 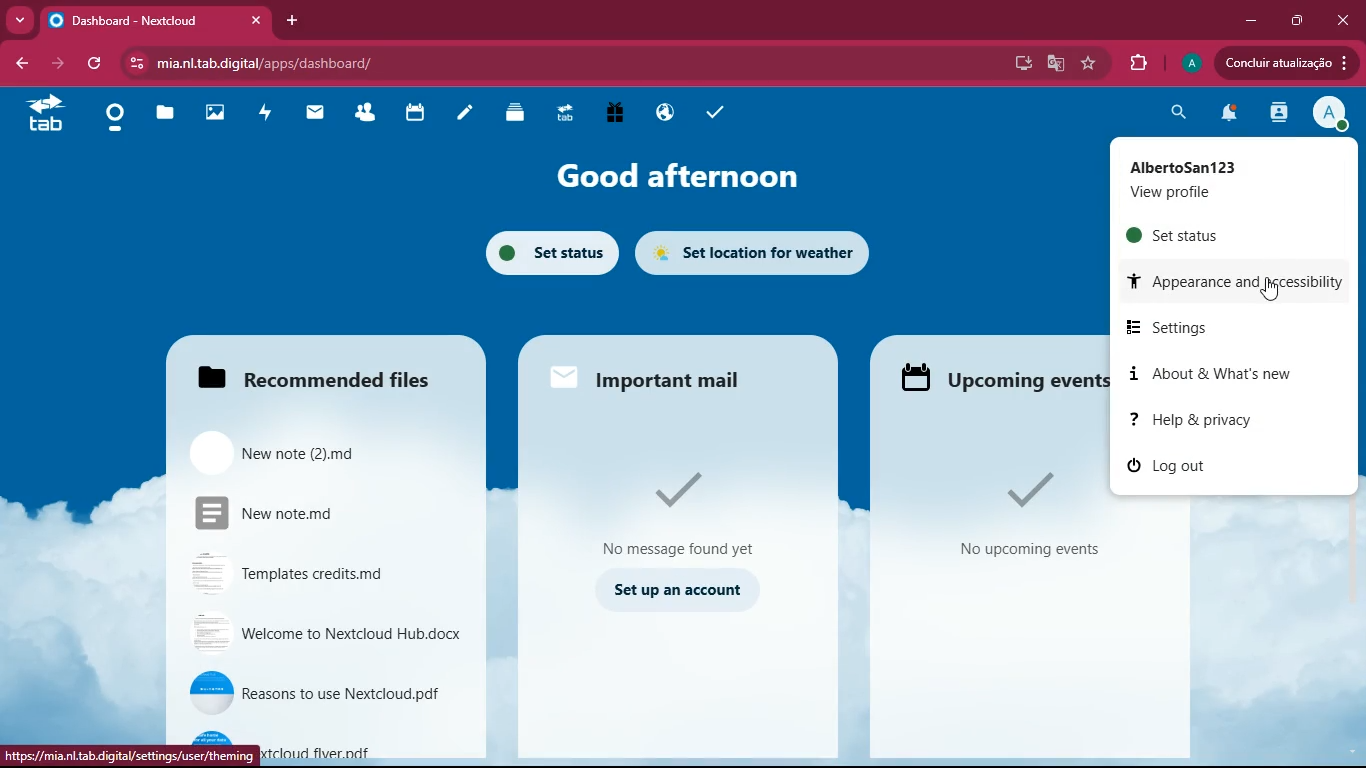 I want to click on set status, so click(x=548, y=251).